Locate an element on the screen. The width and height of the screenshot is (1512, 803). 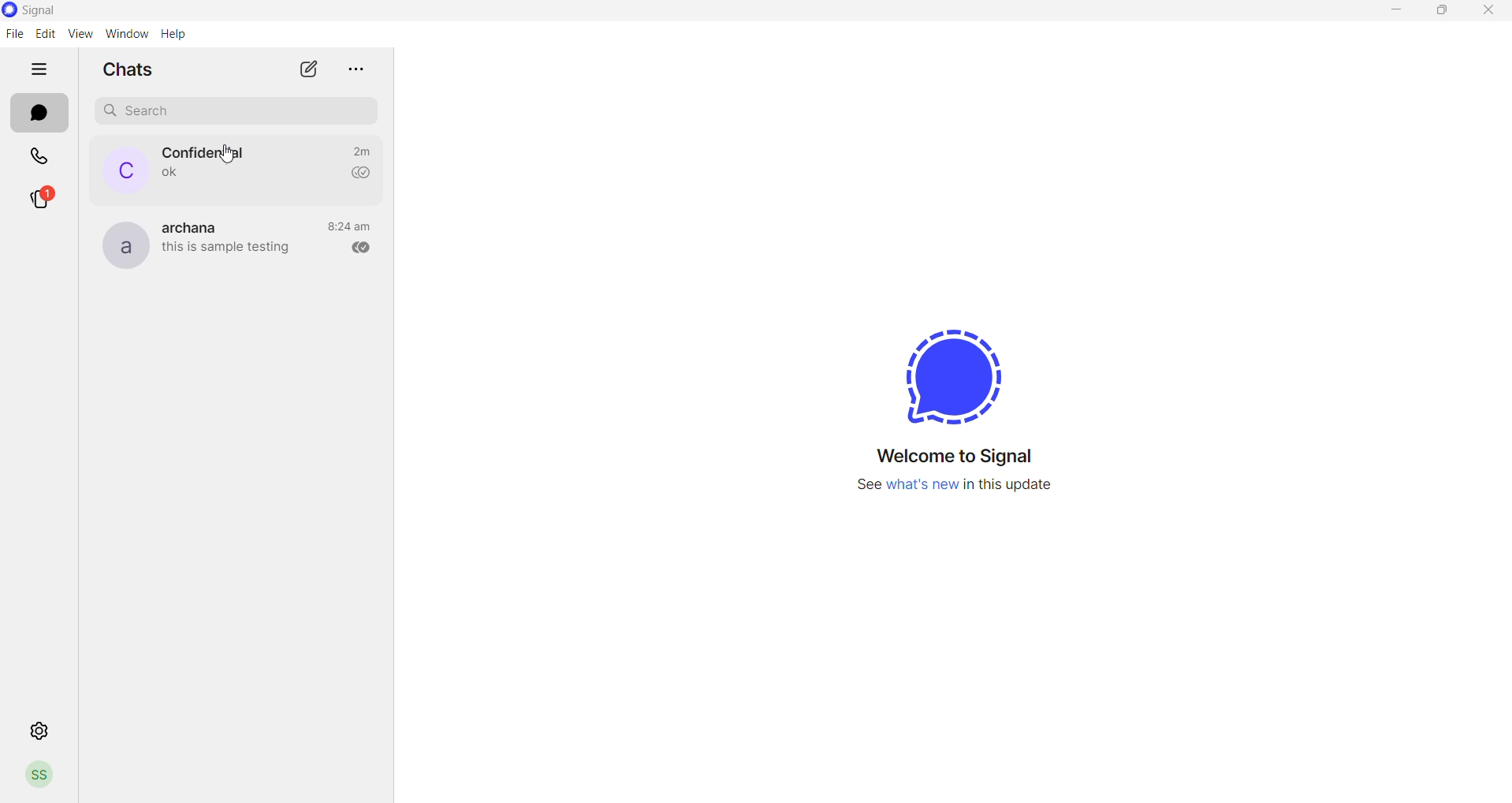
more options is located at coordinates (350, 70).